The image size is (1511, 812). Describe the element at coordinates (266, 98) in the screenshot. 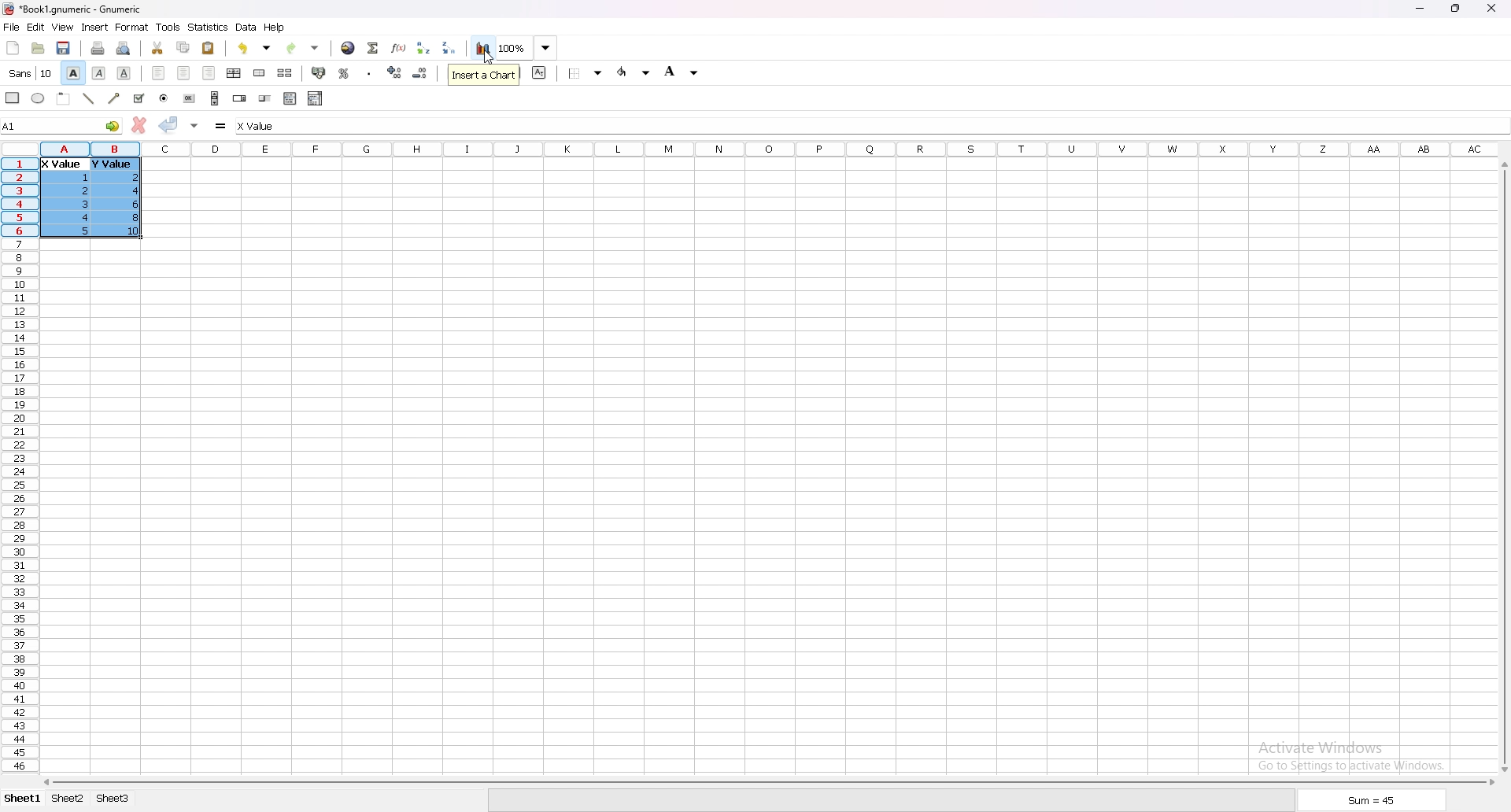

I see `slider` at that location.